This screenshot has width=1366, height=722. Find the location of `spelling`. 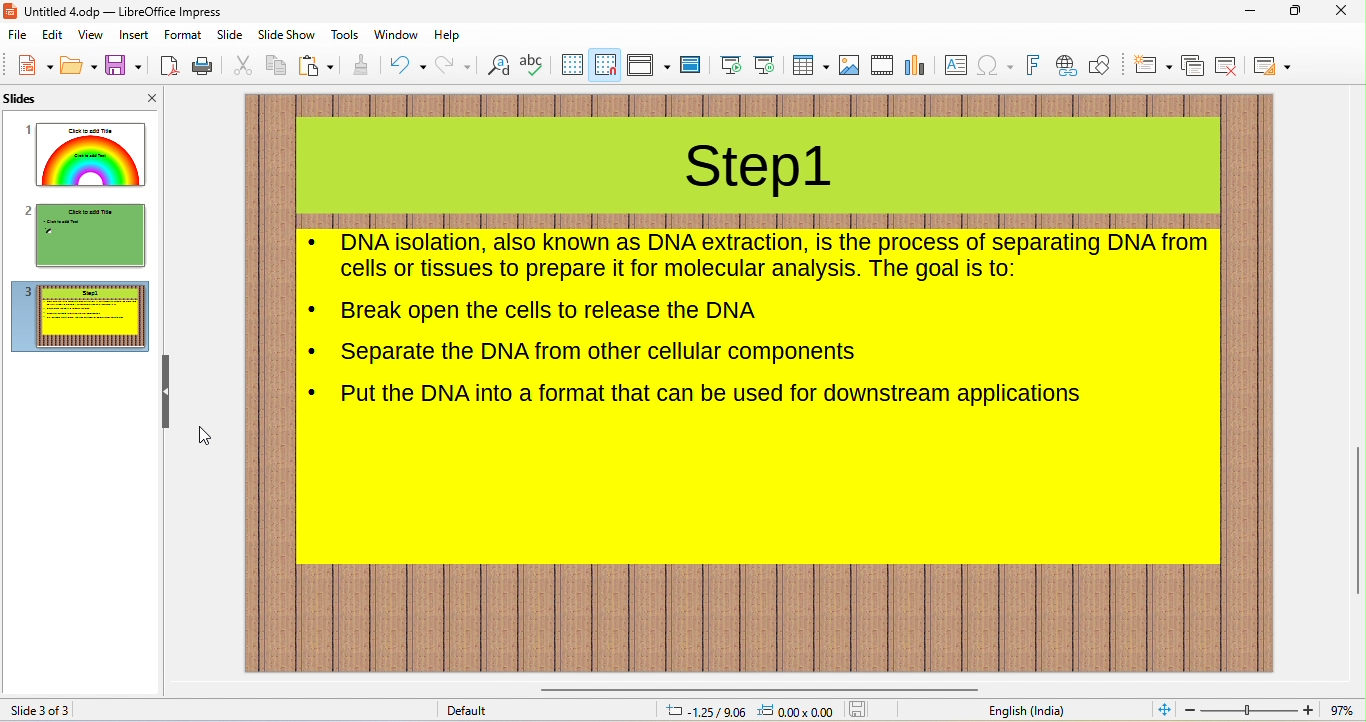

spelling is located at coordinates (533, 63).